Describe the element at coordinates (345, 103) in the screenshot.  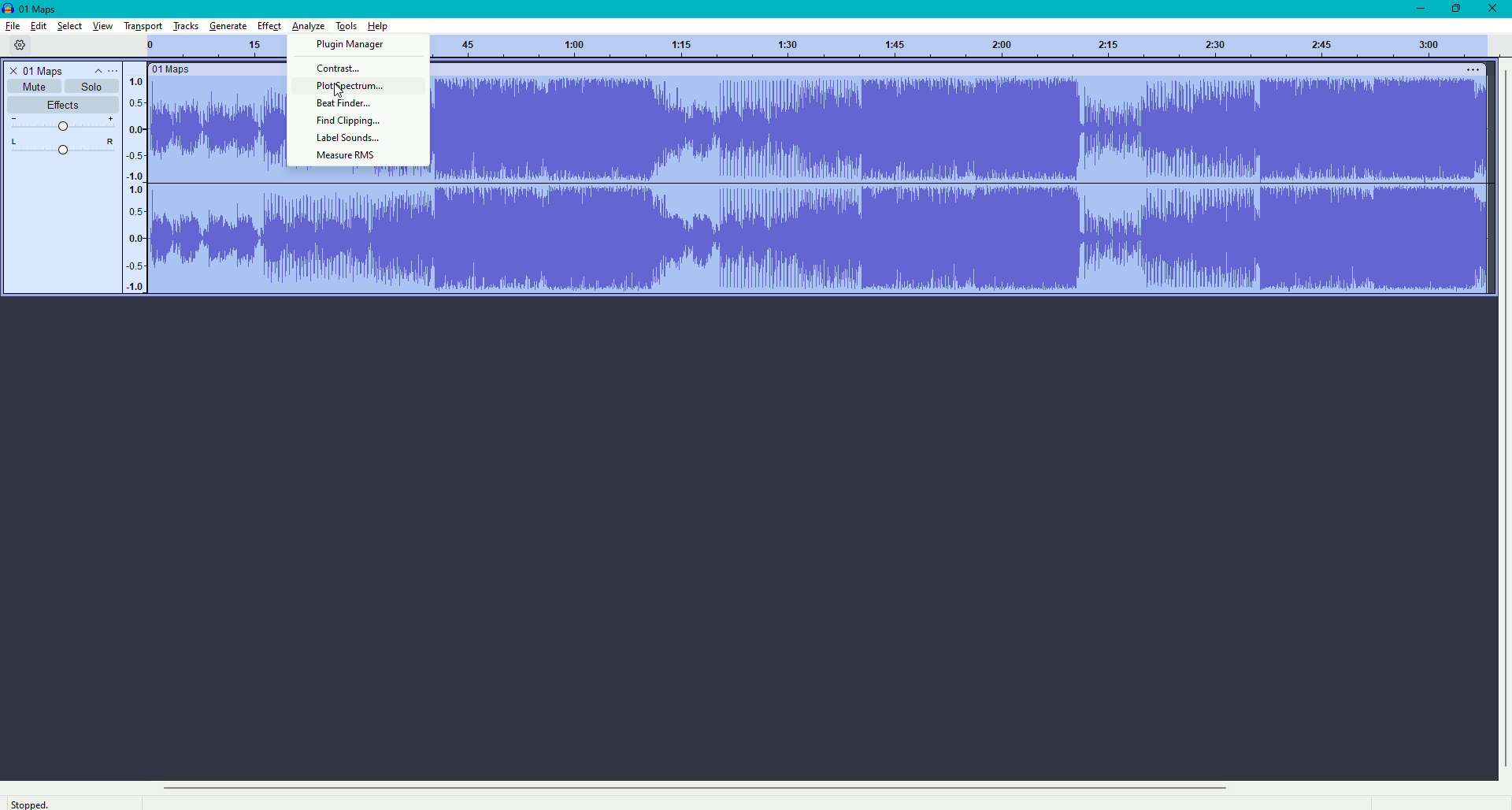
I see `Beat Finder` at that location.